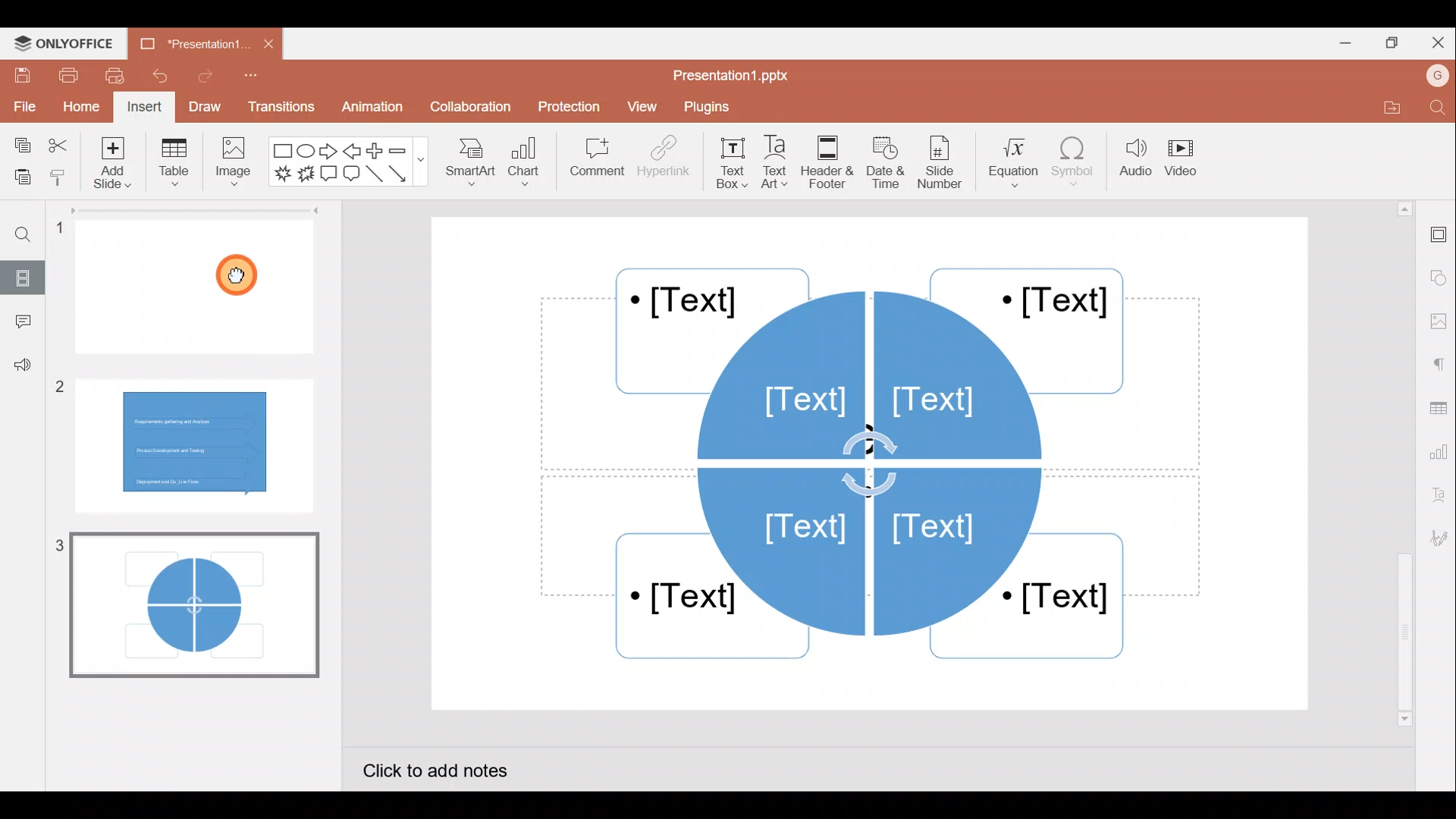  Describe the element at coordinates (1435, 108) in the screenshot. I see `Find` at that location.